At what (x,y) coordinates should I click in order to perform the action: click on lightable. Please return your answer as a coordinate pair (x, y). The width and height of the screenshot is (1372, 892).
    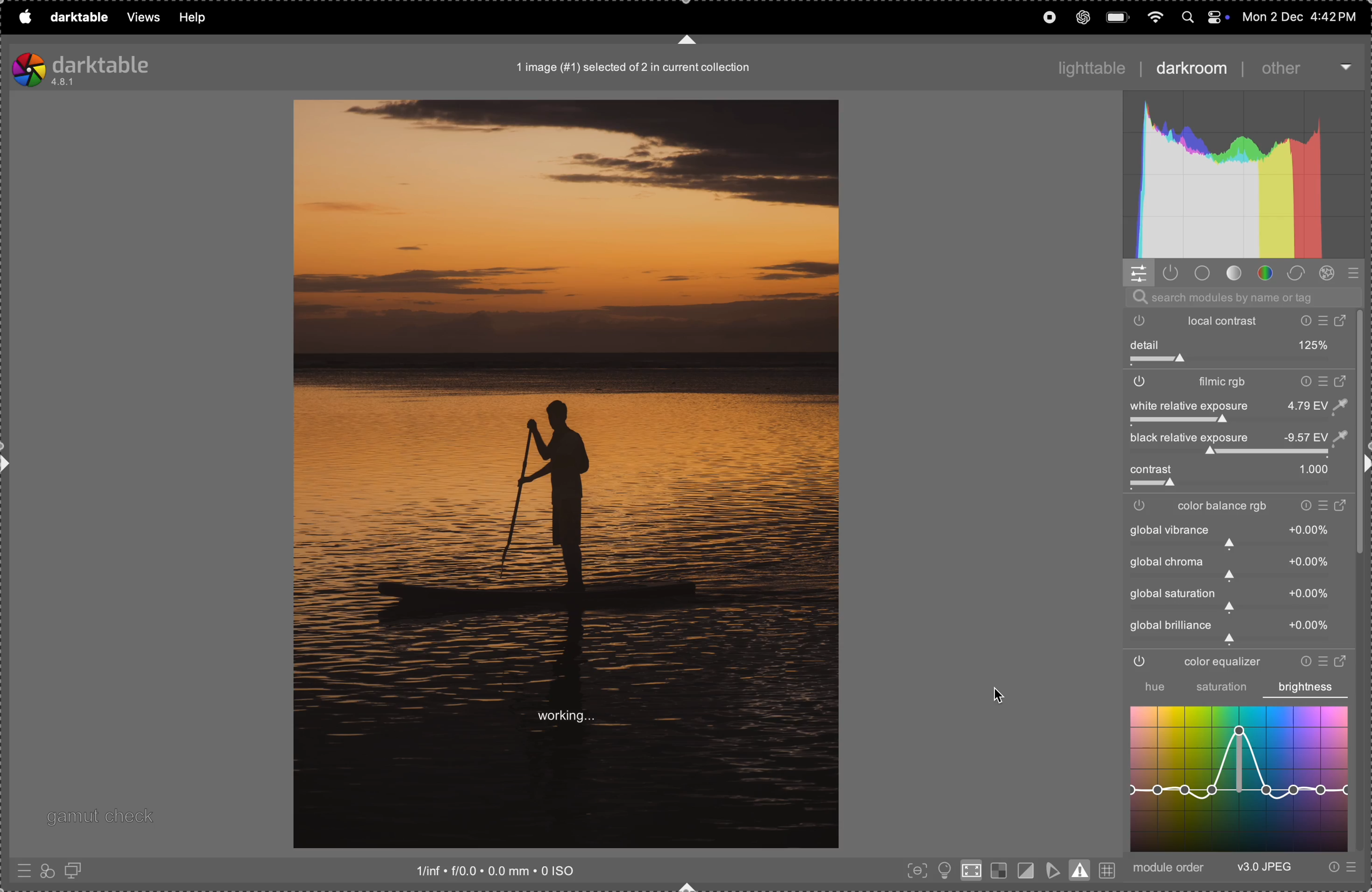
    Looking at the image, I should click on (1085, 64).